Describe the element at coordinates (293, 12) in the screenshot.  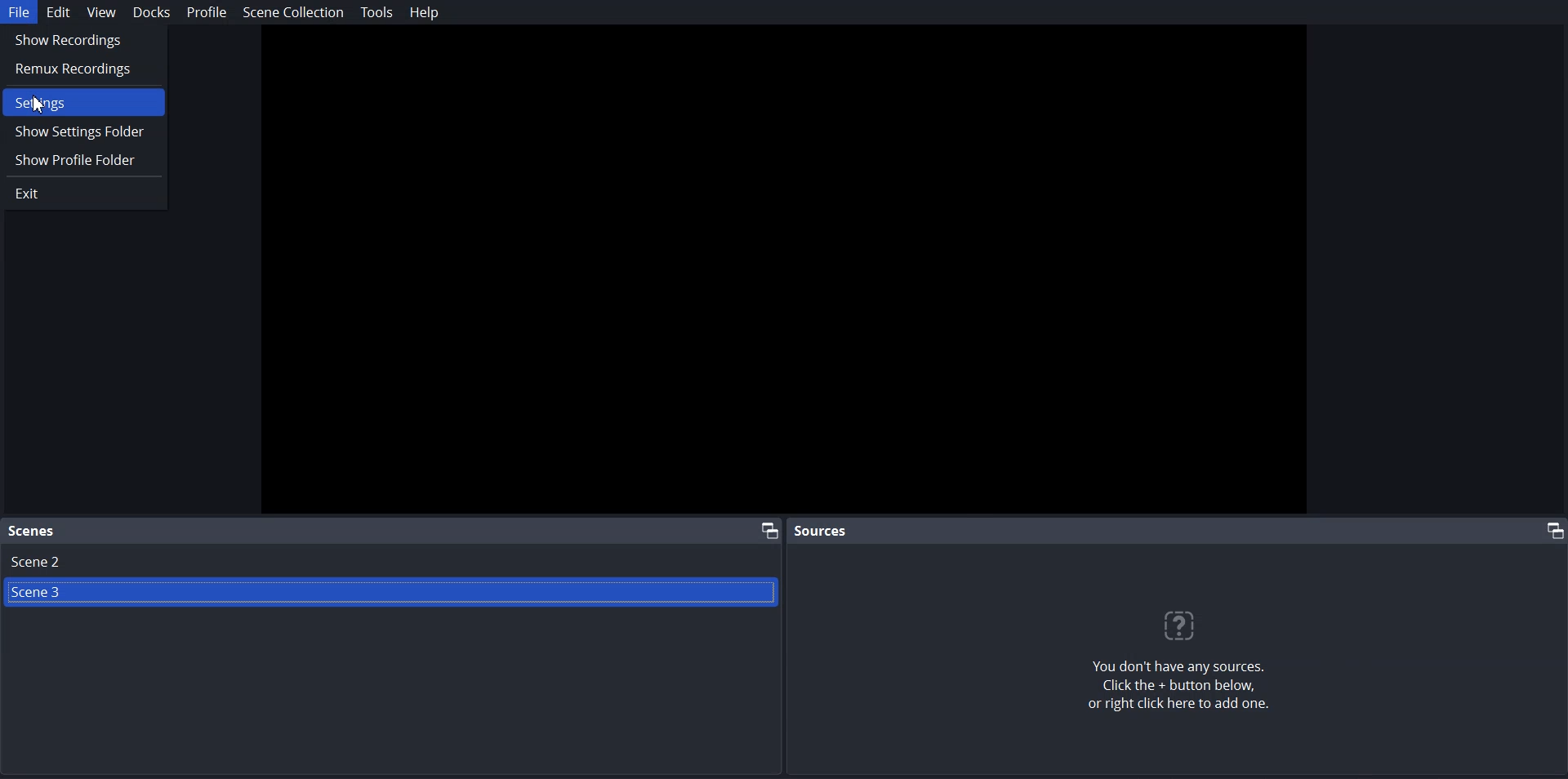
I see `Scene Collection` at that location.